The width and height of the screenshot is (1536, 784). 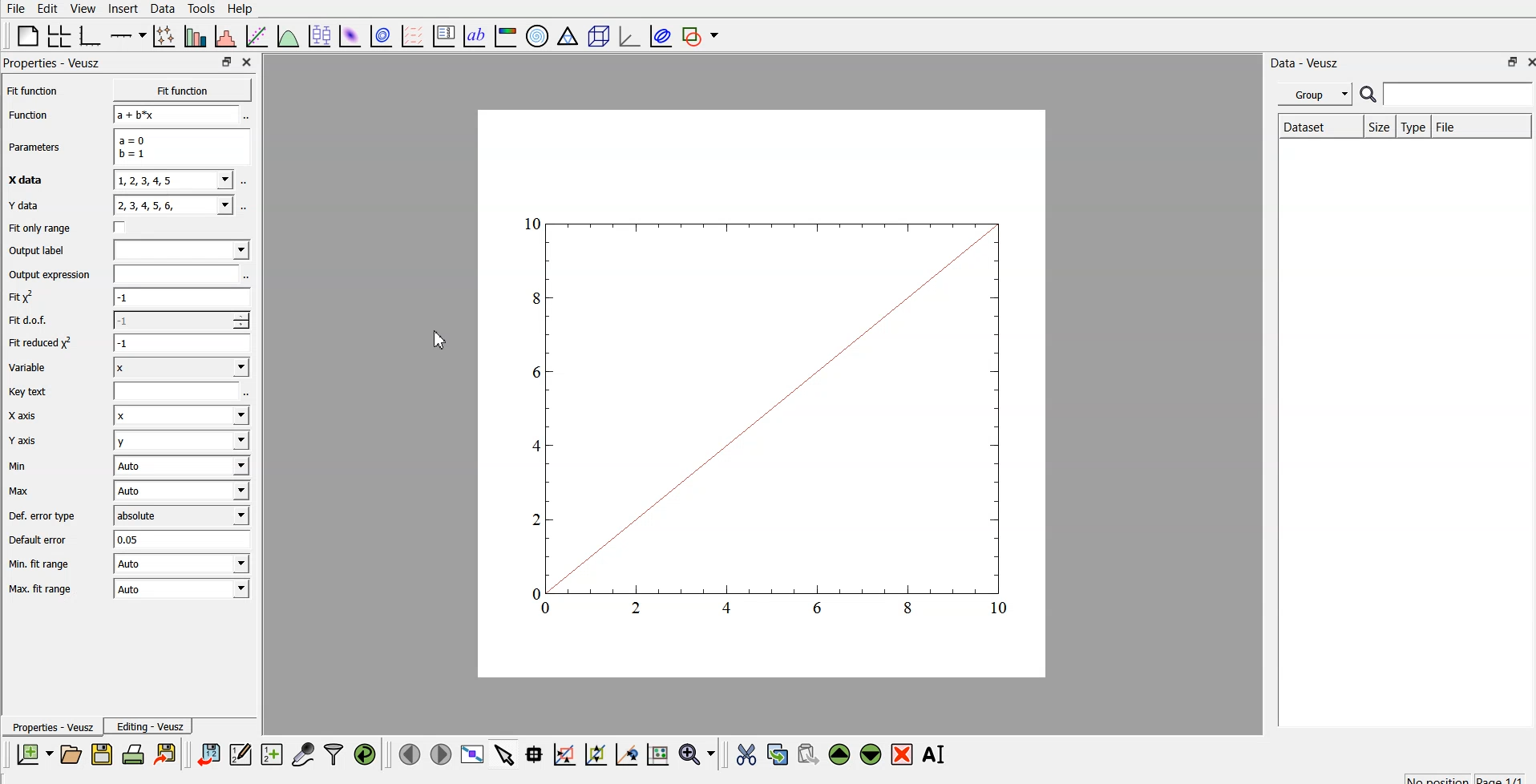 What do you see at coordinates (45, 91) in the screenshot?
I see `Fit function` at bounding box center [45, 91].